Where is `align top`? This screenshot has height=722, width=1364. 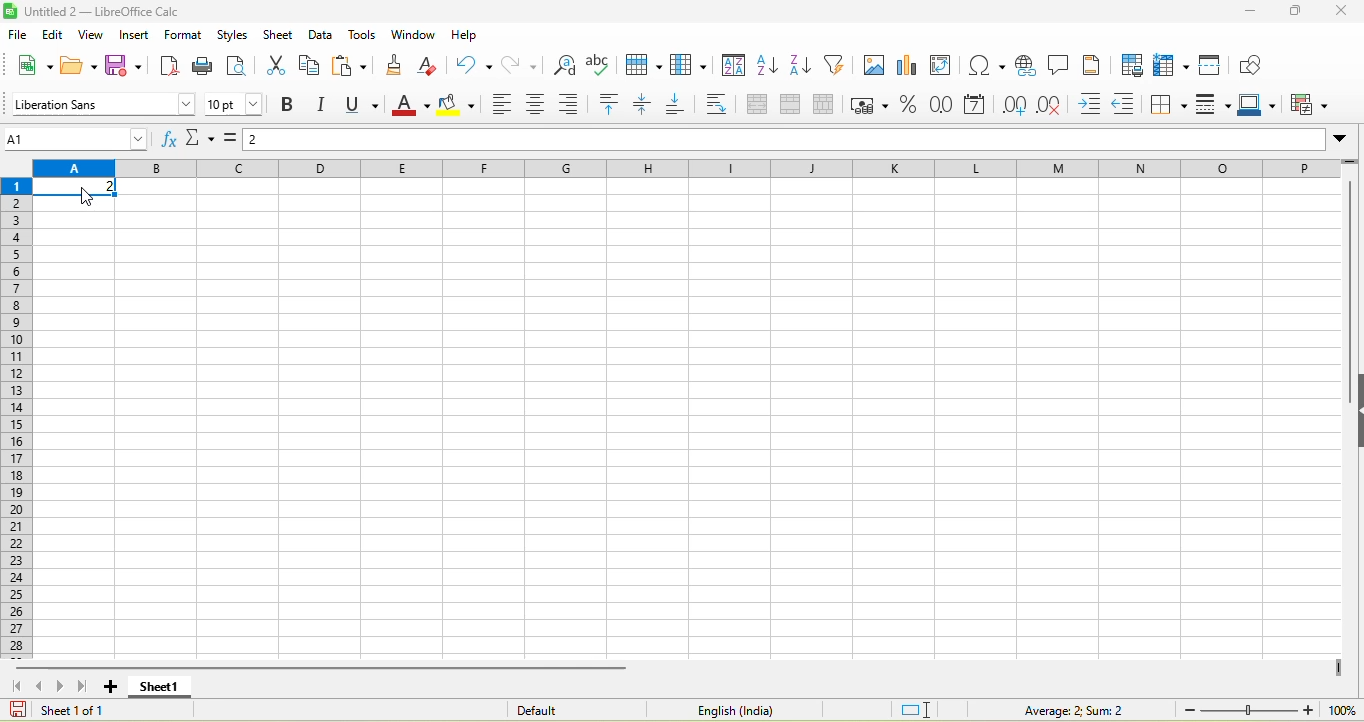 align top is located at coordinates (612, 105).